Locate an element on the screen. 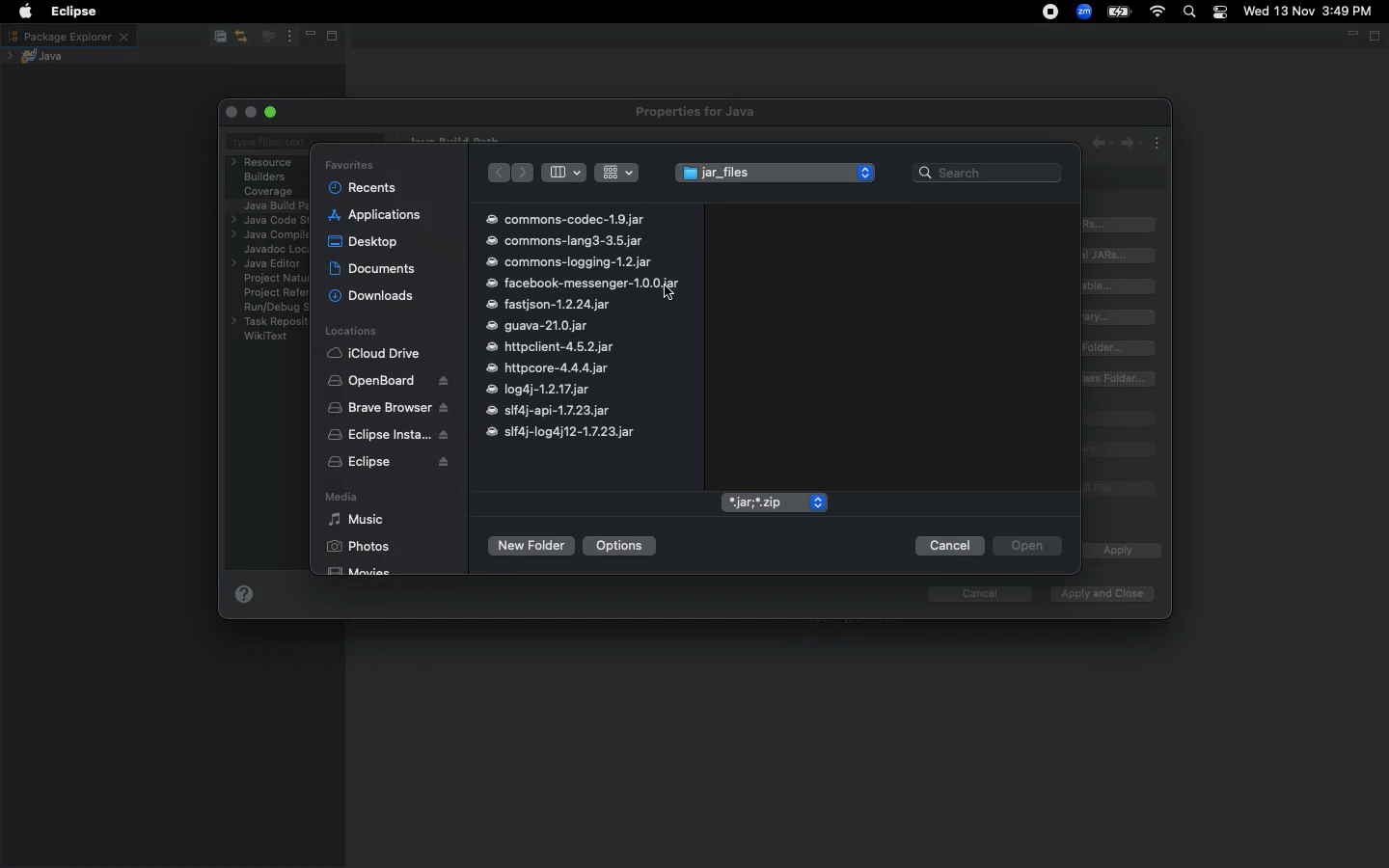 The image size is (1389, 868). Task repository is located at coordinates (270, 322).